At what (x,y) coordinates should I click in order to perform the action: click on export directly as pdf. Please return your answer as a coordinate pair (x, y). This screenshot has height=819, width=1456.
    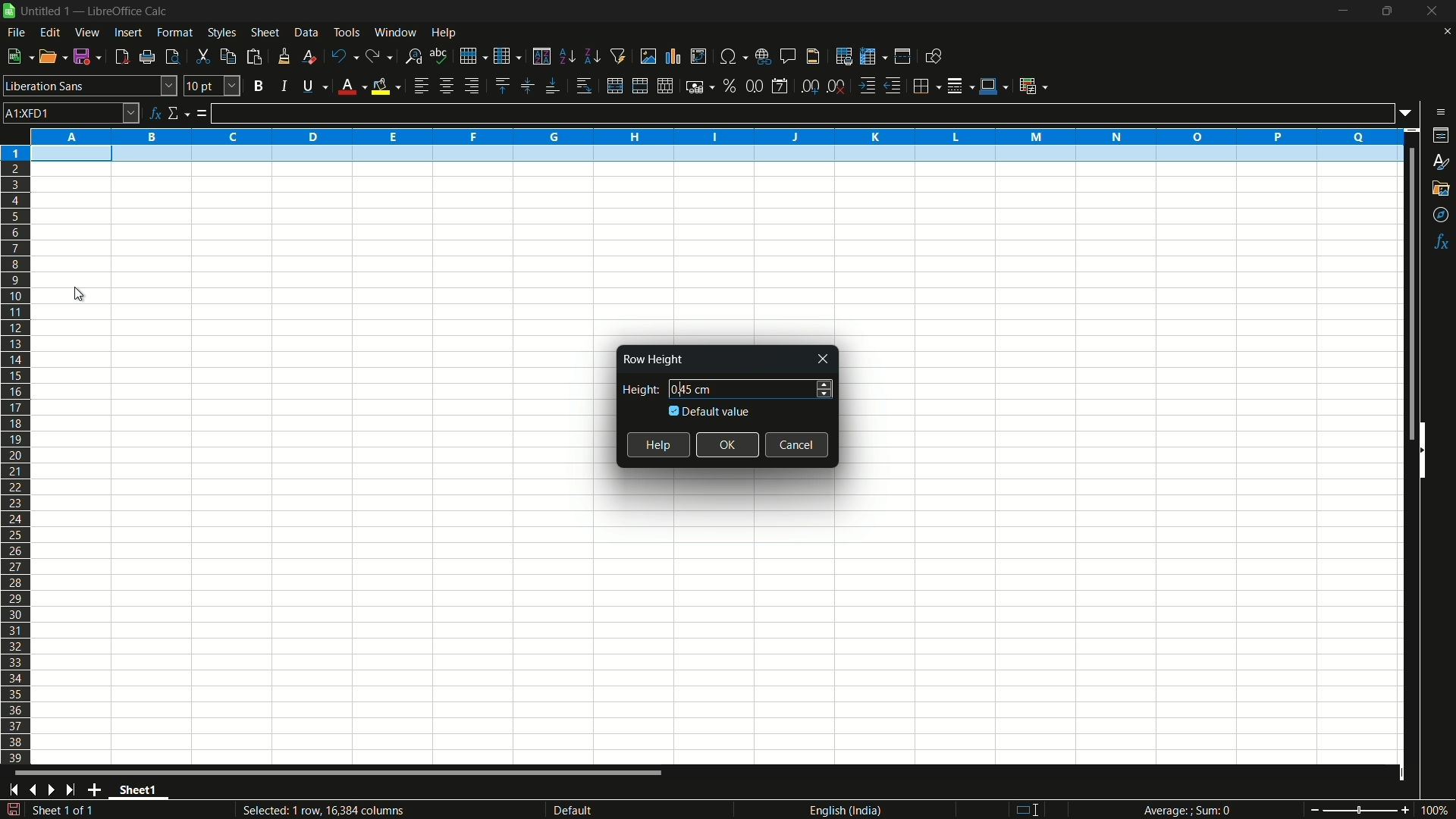
    Looking at the image, I should click on (121, 57).